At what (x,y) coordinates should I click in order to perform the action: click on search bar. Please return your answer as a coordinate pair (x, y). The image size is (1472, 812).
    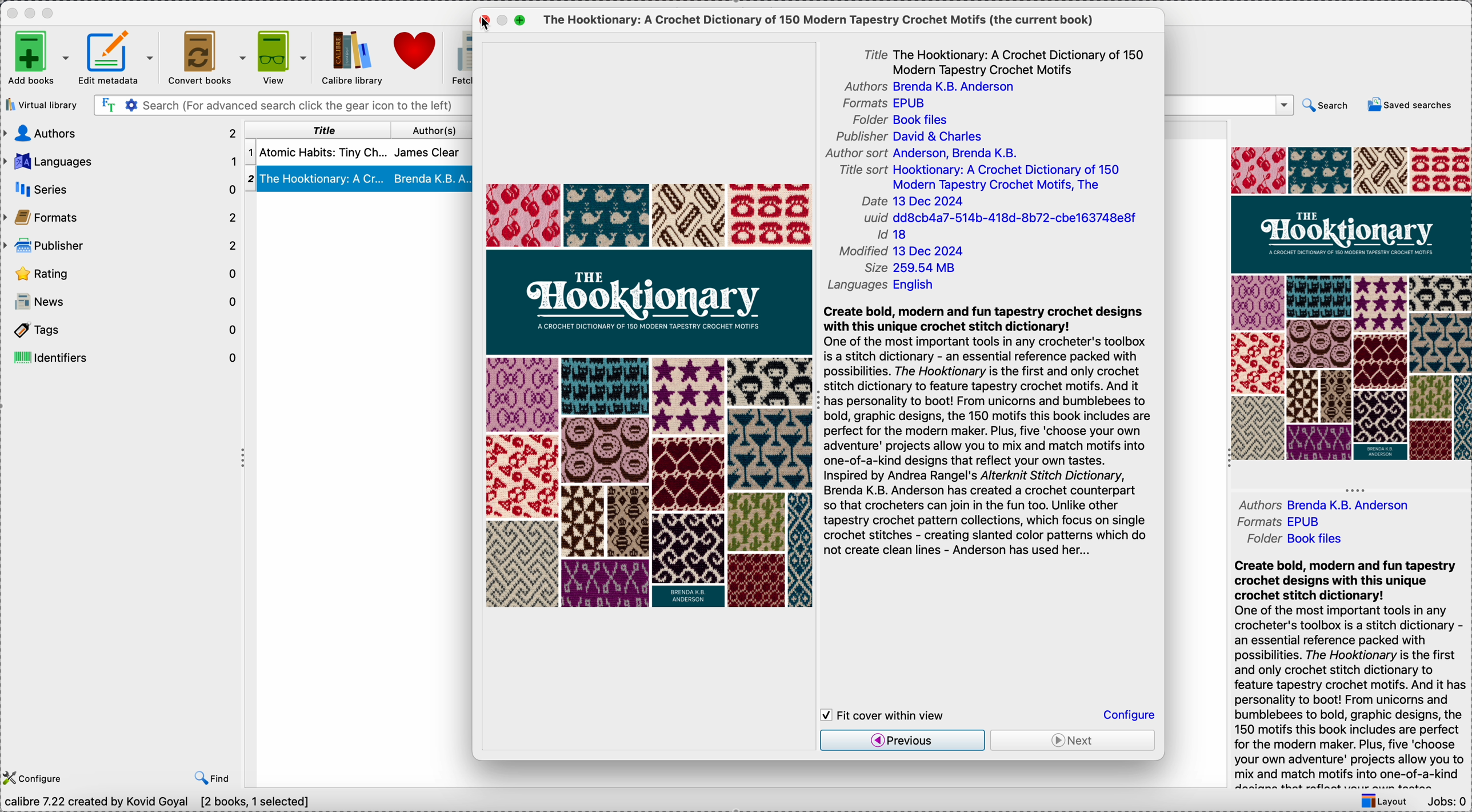
    Looking at the image, I should click on (282, 105).